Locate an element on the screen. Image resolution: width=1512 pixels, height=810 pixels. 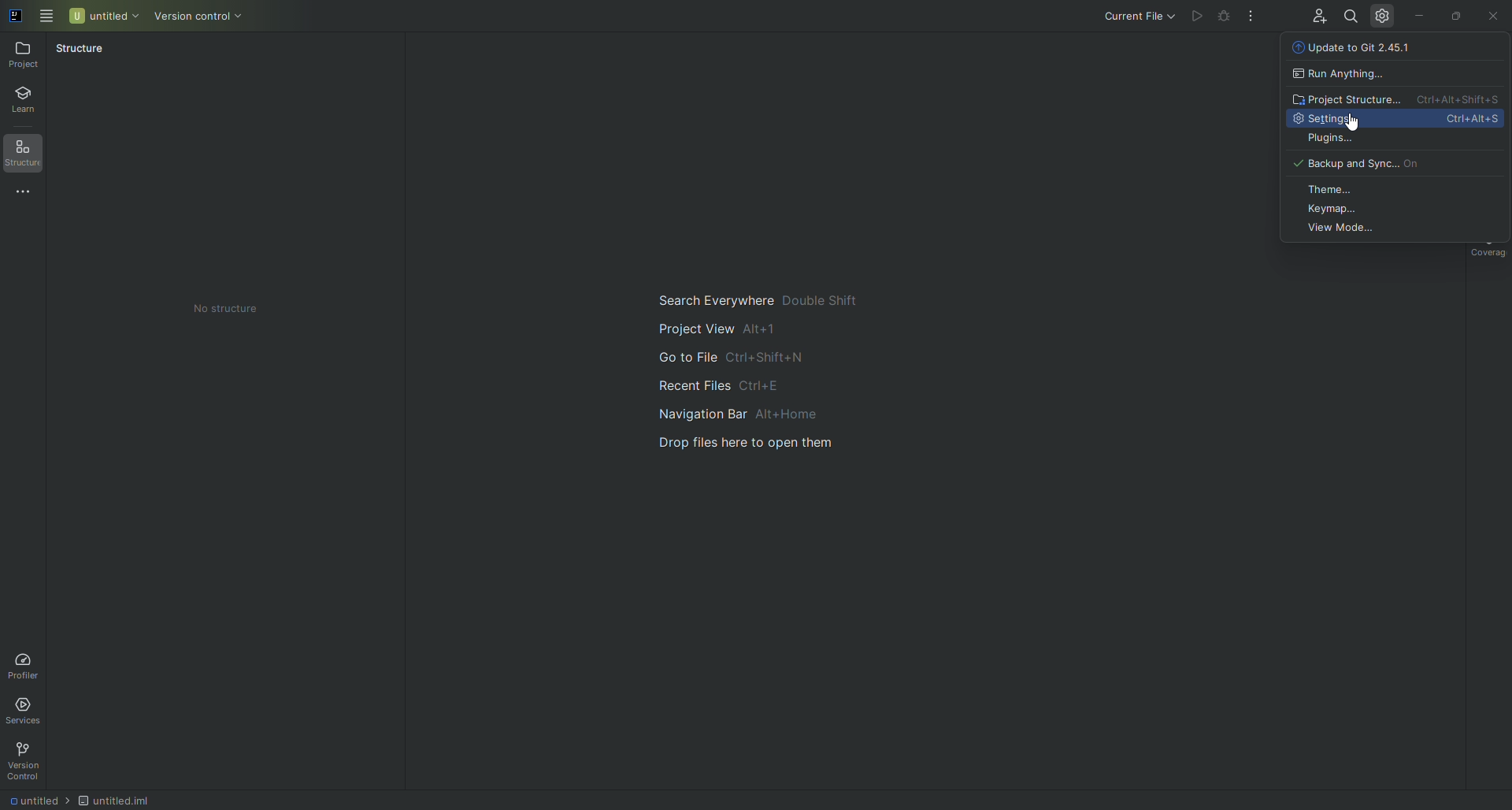
go to file is located at coordinates (762, 359).